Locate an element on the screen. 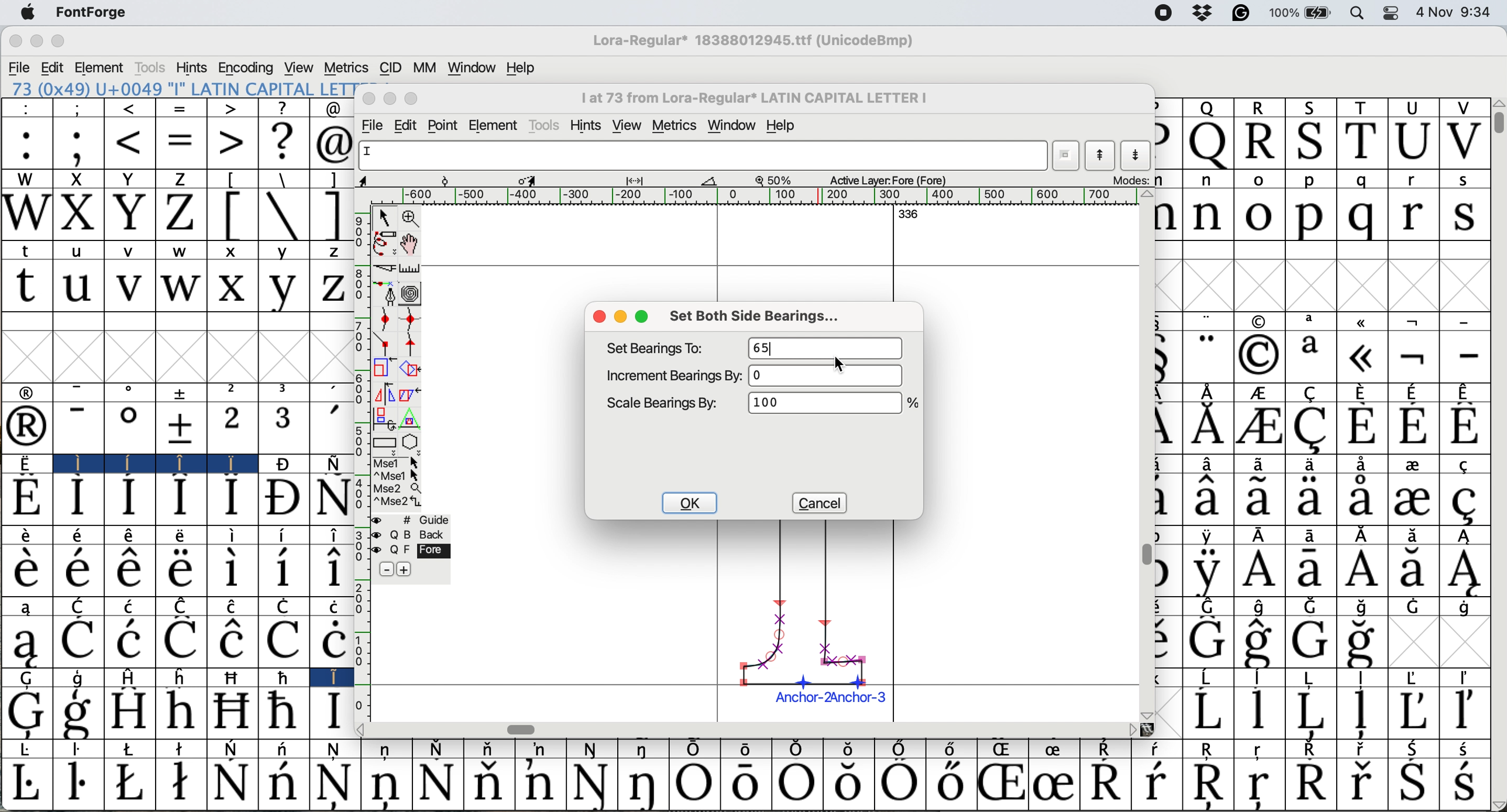  cut splines in two is located at coordinates (386, 267).